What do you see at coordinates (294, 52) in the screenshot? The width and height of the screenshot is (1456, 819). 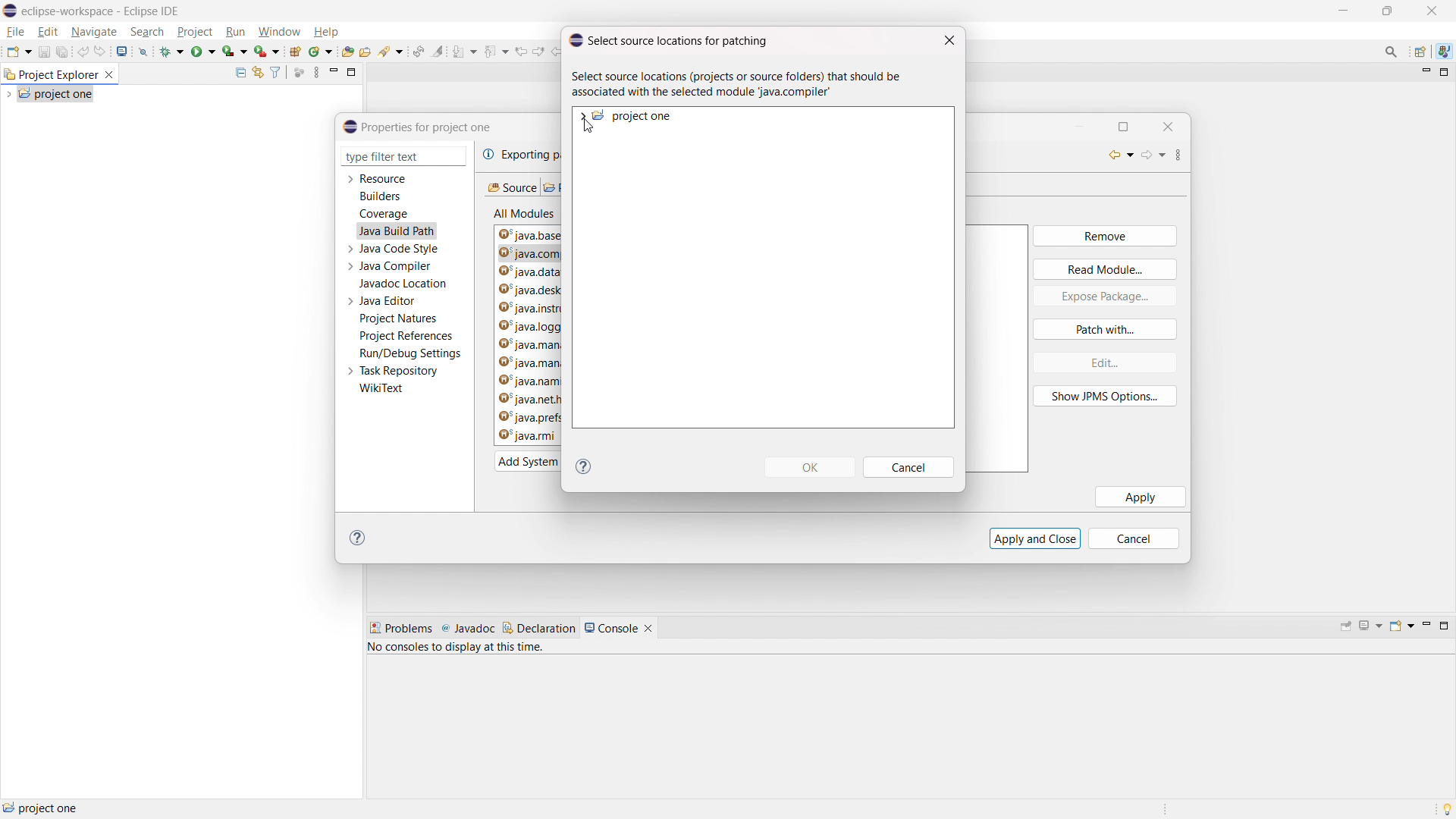 I see `new java project` at bounding box center [294, 52].